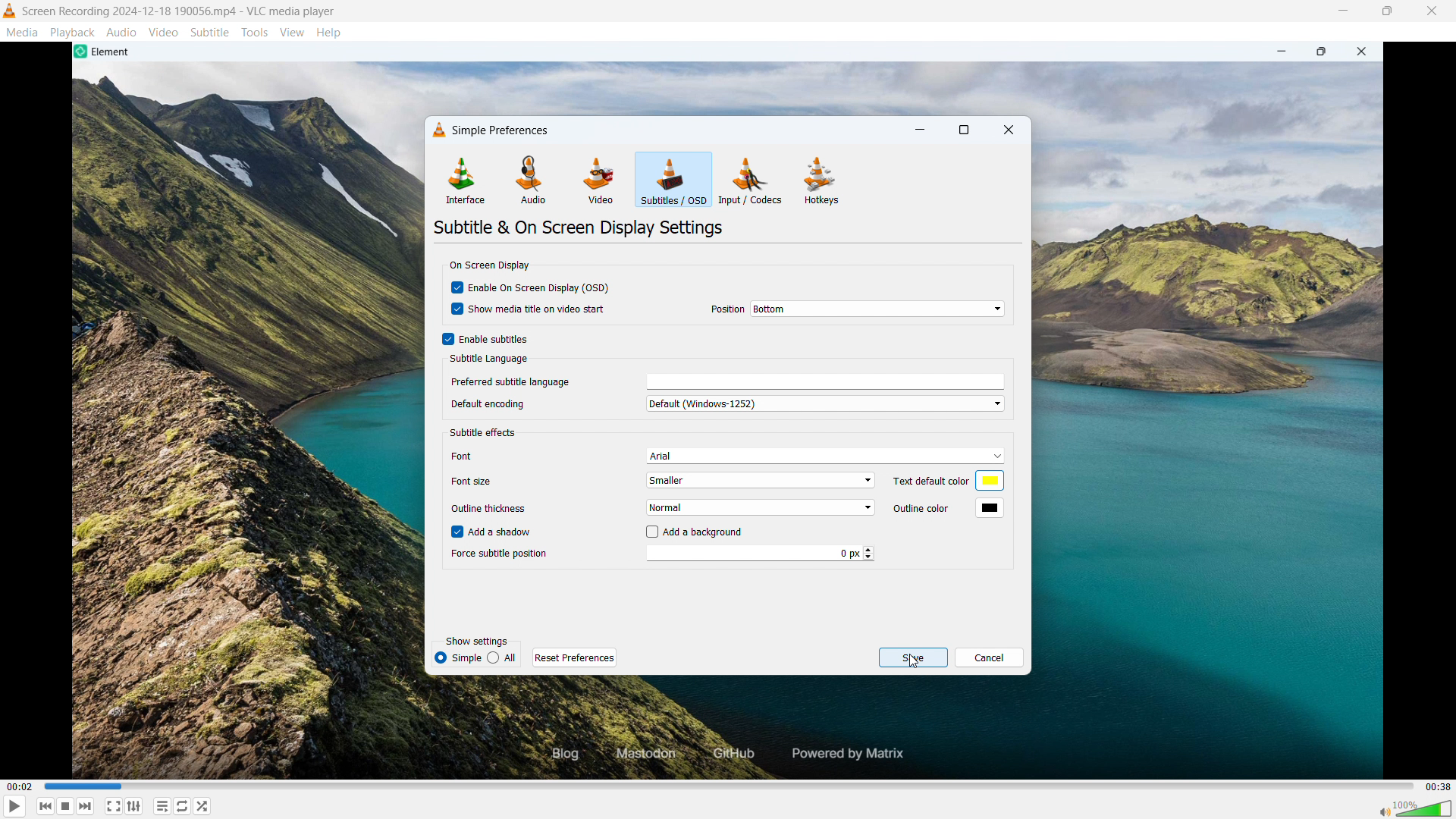 The image size is (1456, 819). I want to click on Set position , so click(877, 309).